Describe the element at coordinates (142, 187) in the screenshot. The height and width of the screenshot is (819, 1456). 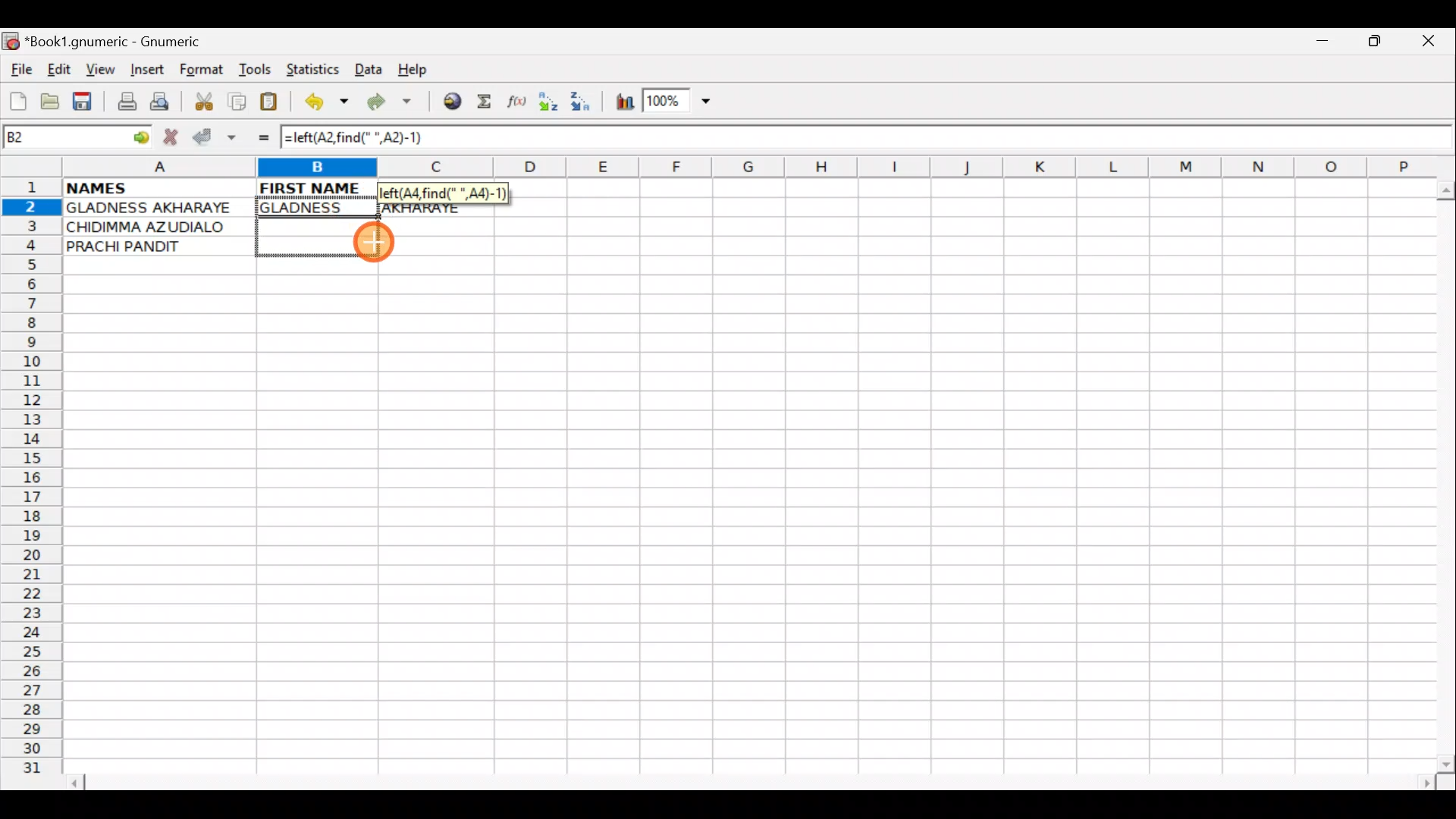
I see `NAMES` at that location.